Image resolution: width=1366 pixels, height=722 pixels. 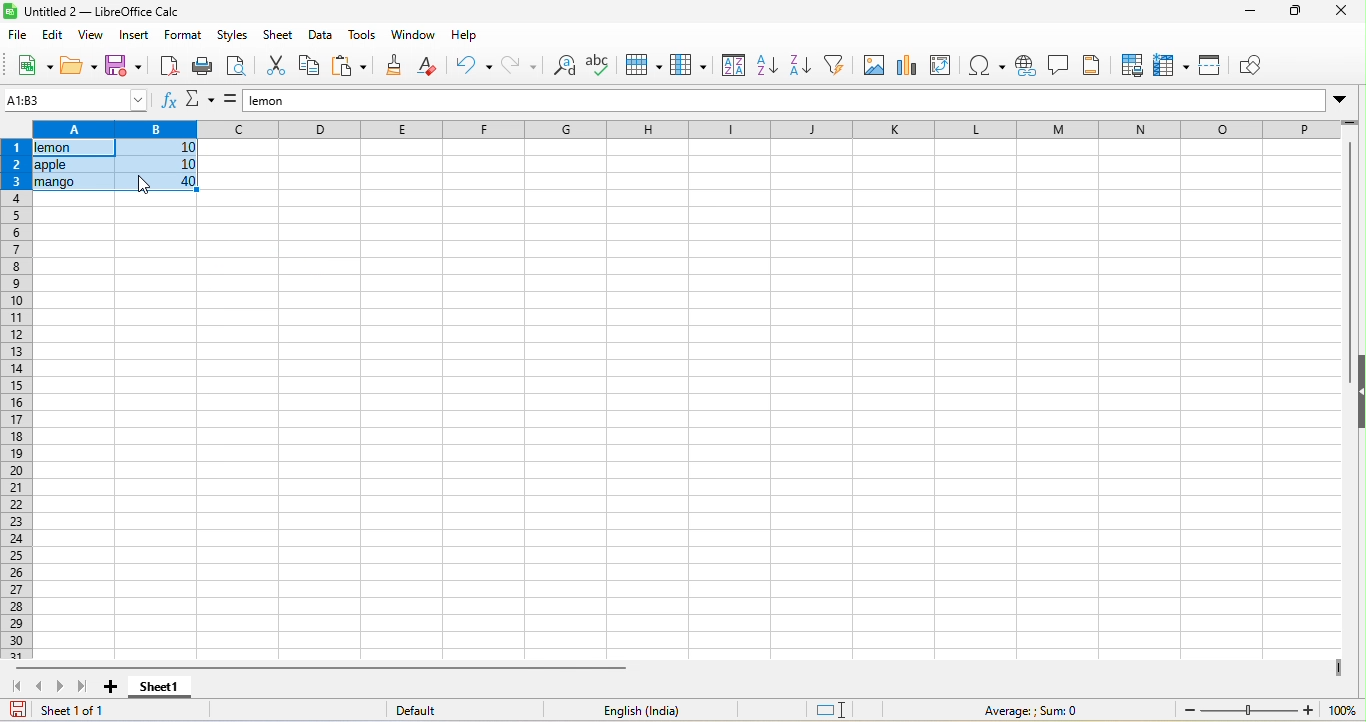 I want to click on a1:b3, so click(x=76, y=100).